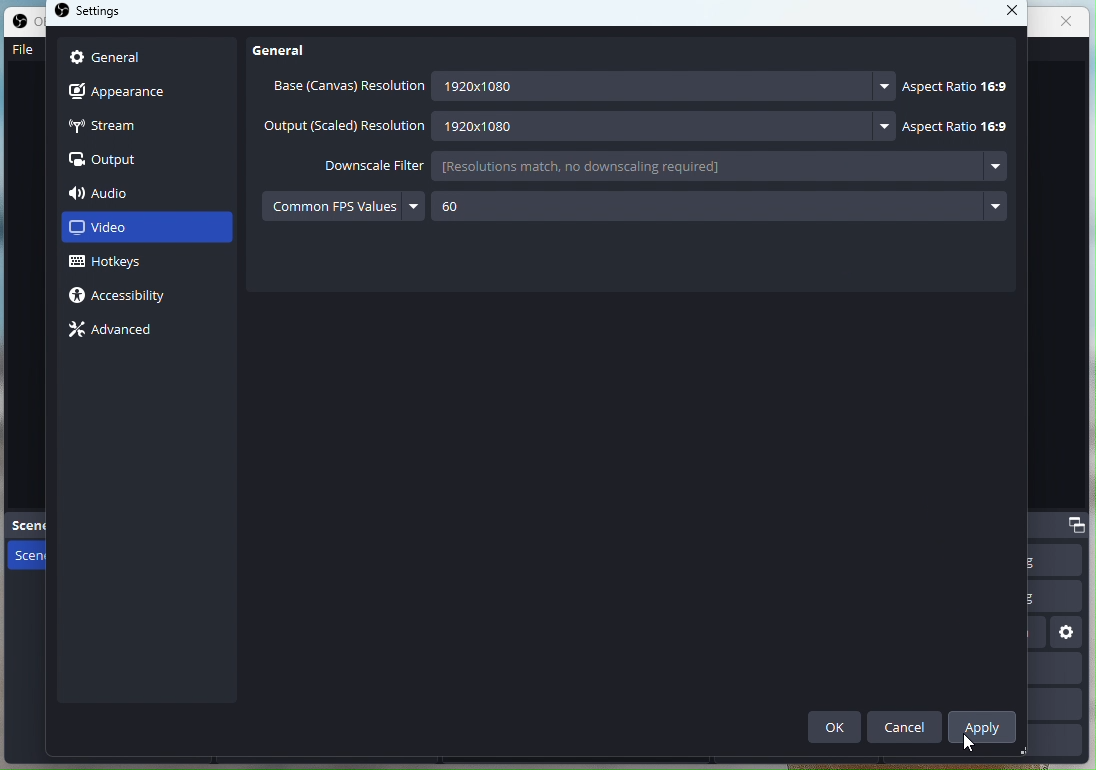 The image size is (1096, 770). Describe the element at coordinates (108, 14) in the screenshot. I see `settings` at that location.